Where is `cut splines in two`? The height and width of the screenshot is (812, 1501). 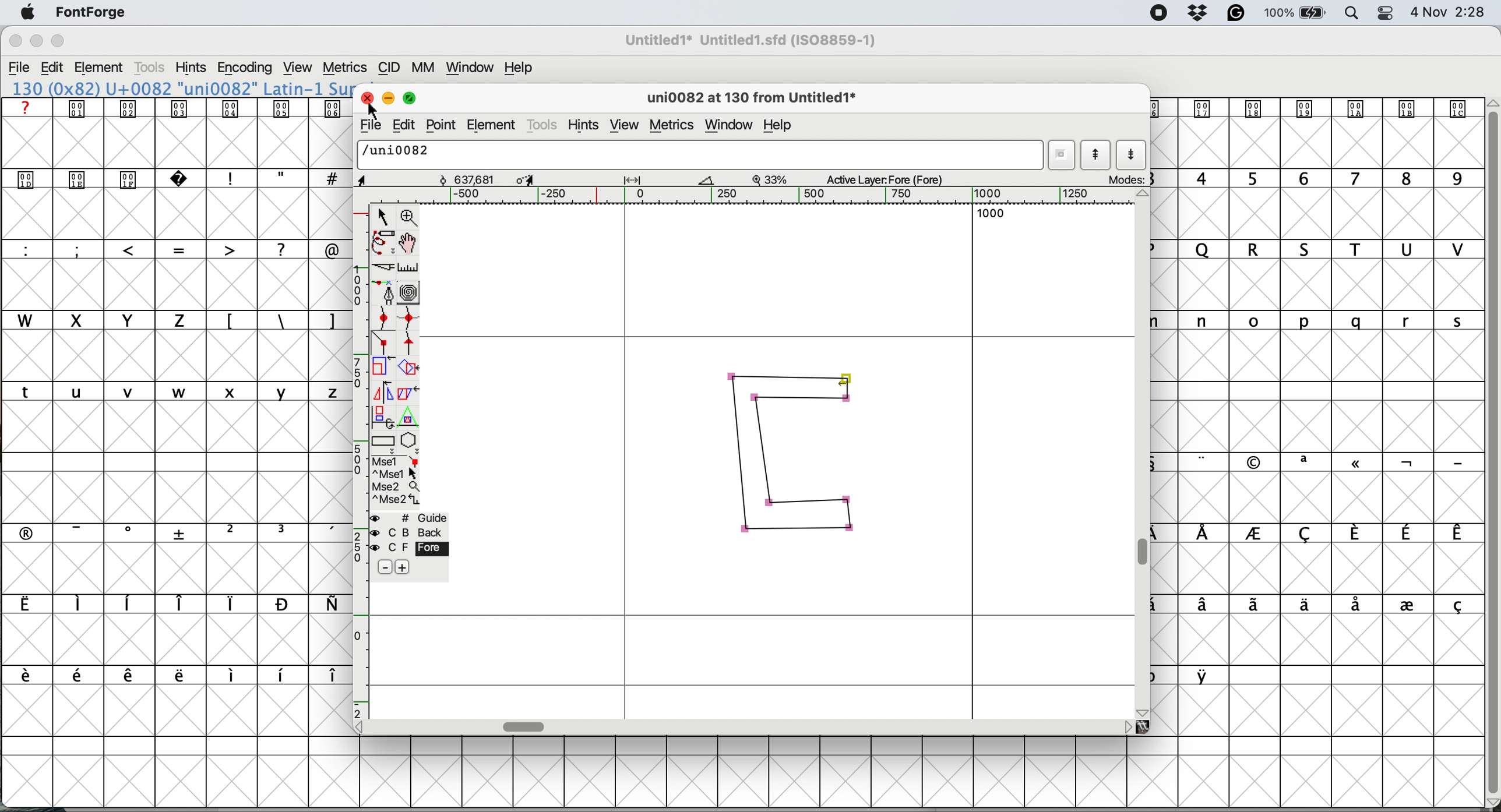 cut splines in two is located at coordinates (386, 267).